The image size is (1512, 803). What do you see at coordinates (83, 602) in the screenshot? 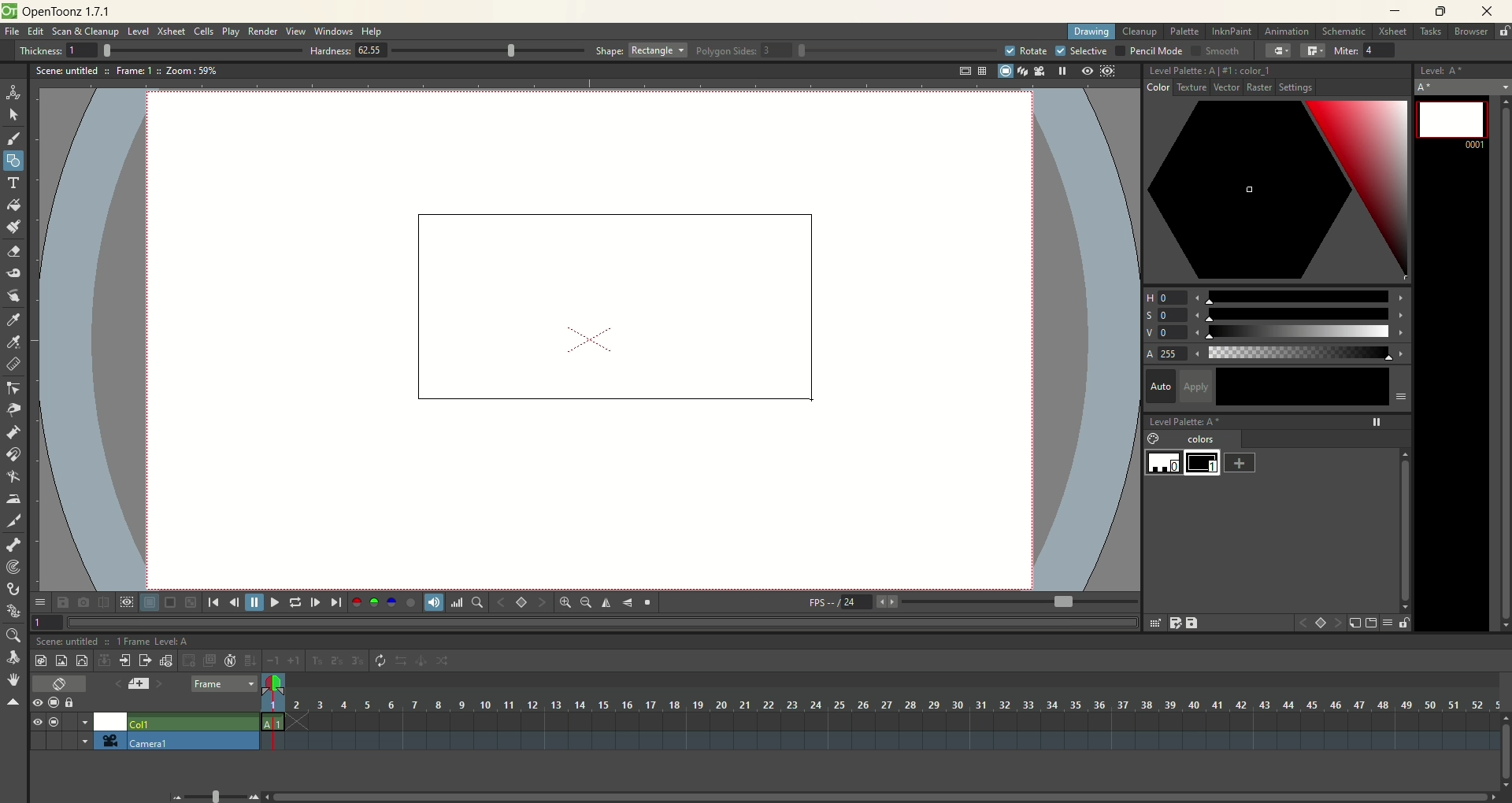
I see `snapchat` at bounding box center [83, 602].